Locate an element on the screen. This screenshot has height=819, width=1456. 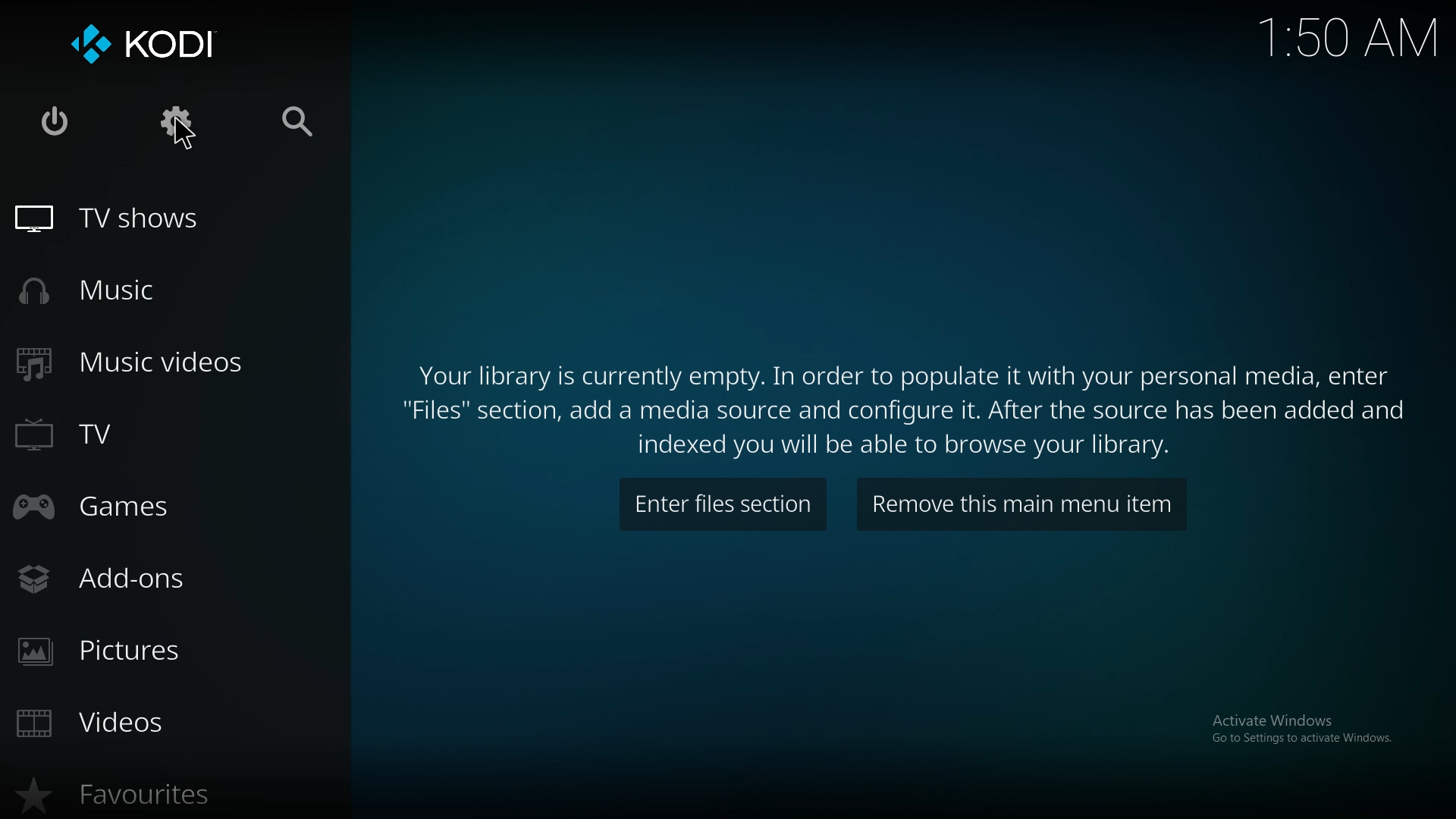
videos is located at coordinates (111, 723).